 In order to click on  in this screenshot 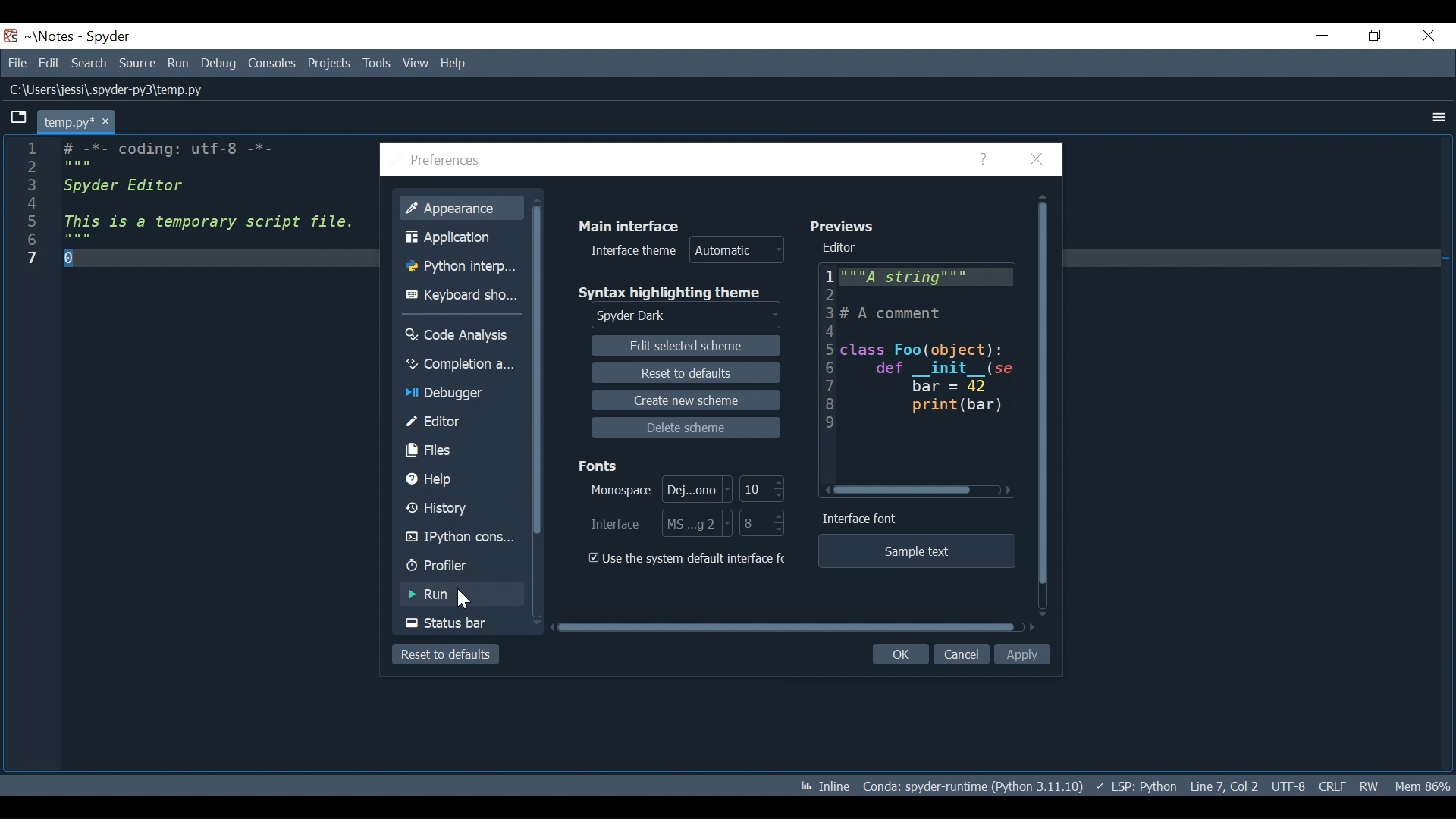, I will do `click(827, 352)`.